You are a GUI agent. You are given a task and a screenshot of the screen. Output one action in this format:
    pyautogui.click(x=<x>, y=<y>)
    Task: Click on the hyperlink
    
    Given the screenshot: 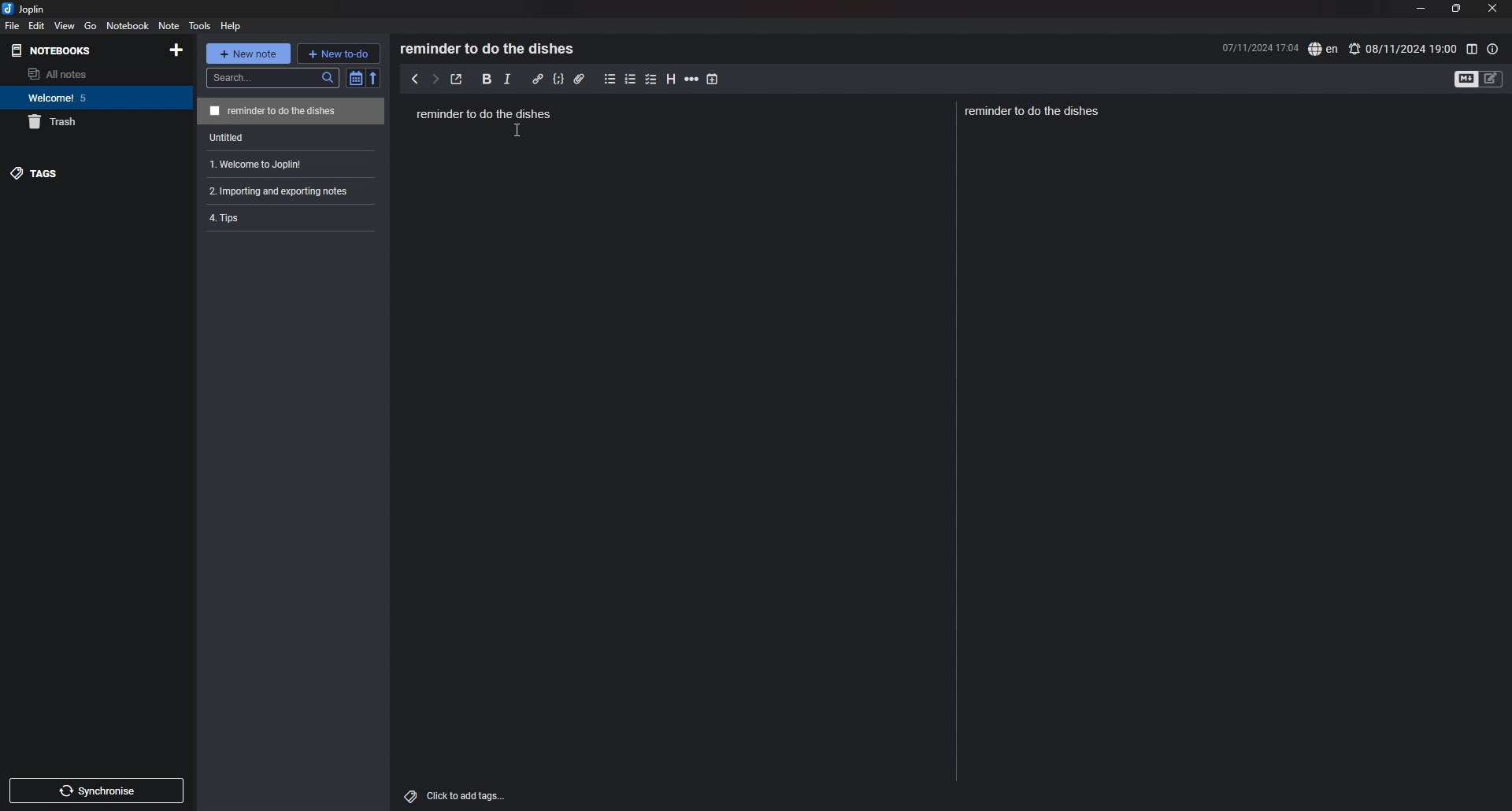 What is the action you would take?
    pyautogui.click(x=539, y=79)
    